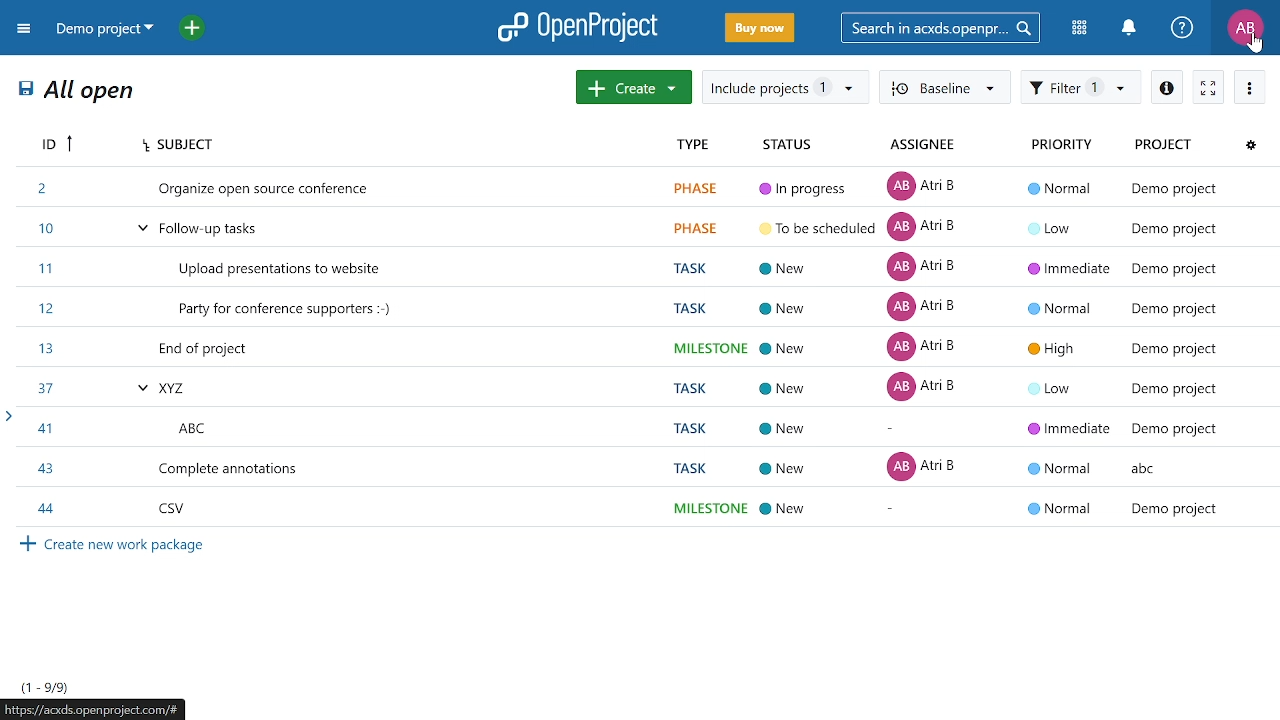 The image size is (1280, 720). What do you see at coordinates (8, 416) in the screenshot?
I see `open sidebar` at bounding box center [8, 416].